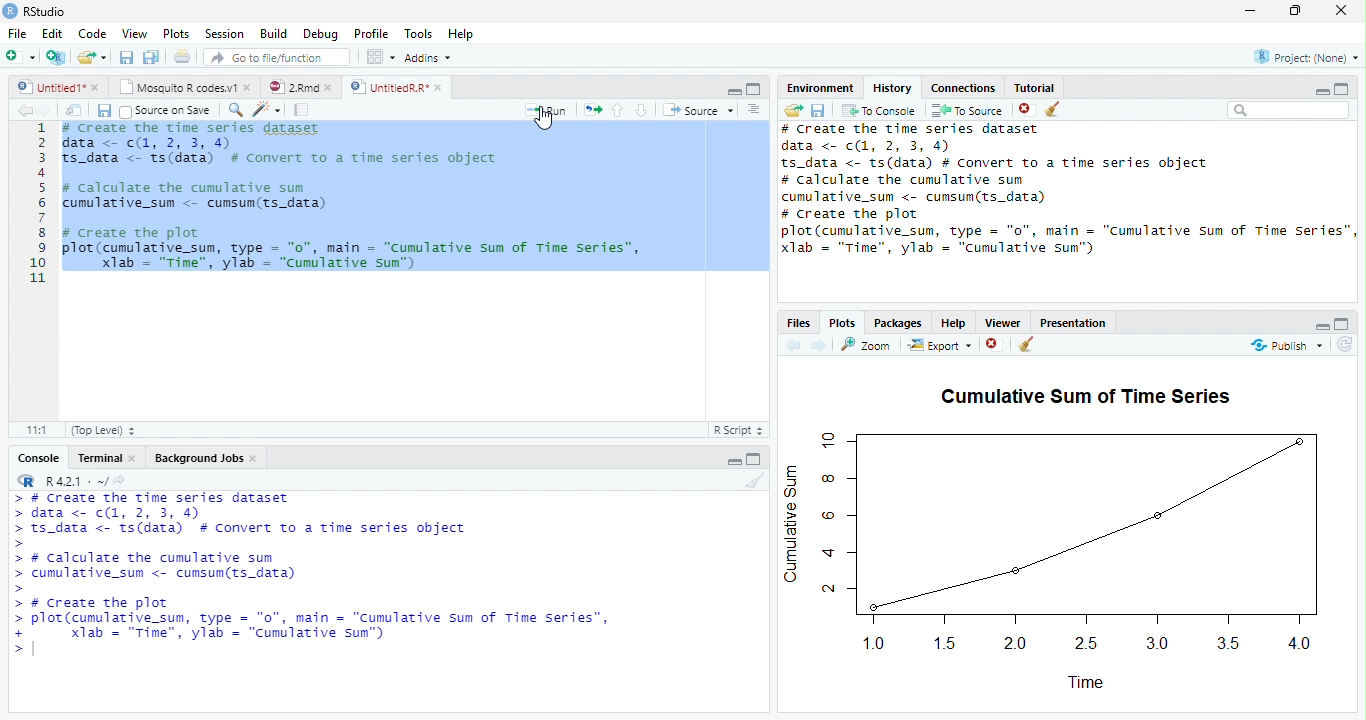 The image size is (1366, 720). What do you see at coordinates (23, 111) in the screenshot?
I see `Back` at bounding box center [23, 111].